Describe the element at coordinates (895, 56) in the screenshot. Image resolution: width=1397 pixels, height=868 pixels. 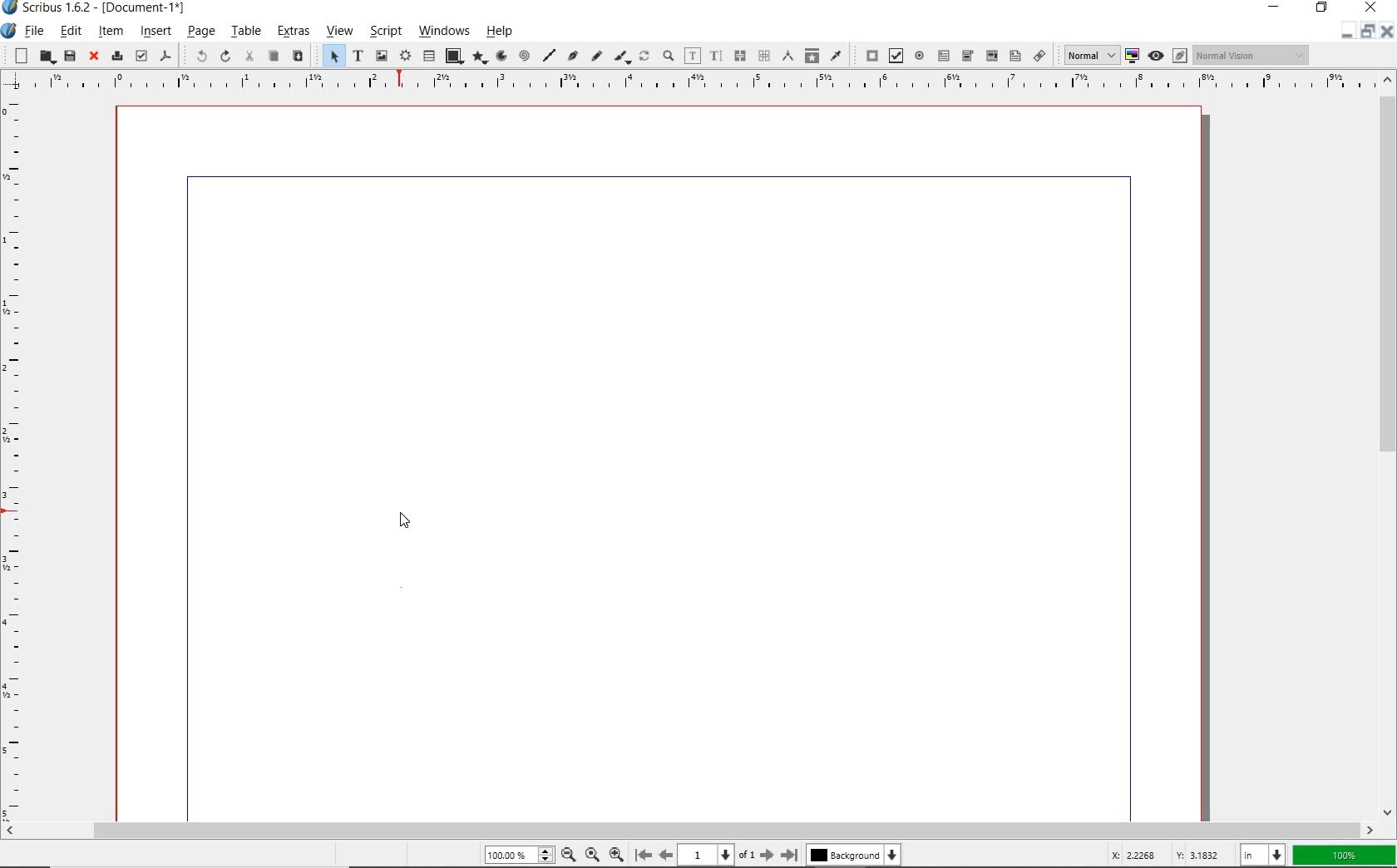
I see `pdf check box` at that location.